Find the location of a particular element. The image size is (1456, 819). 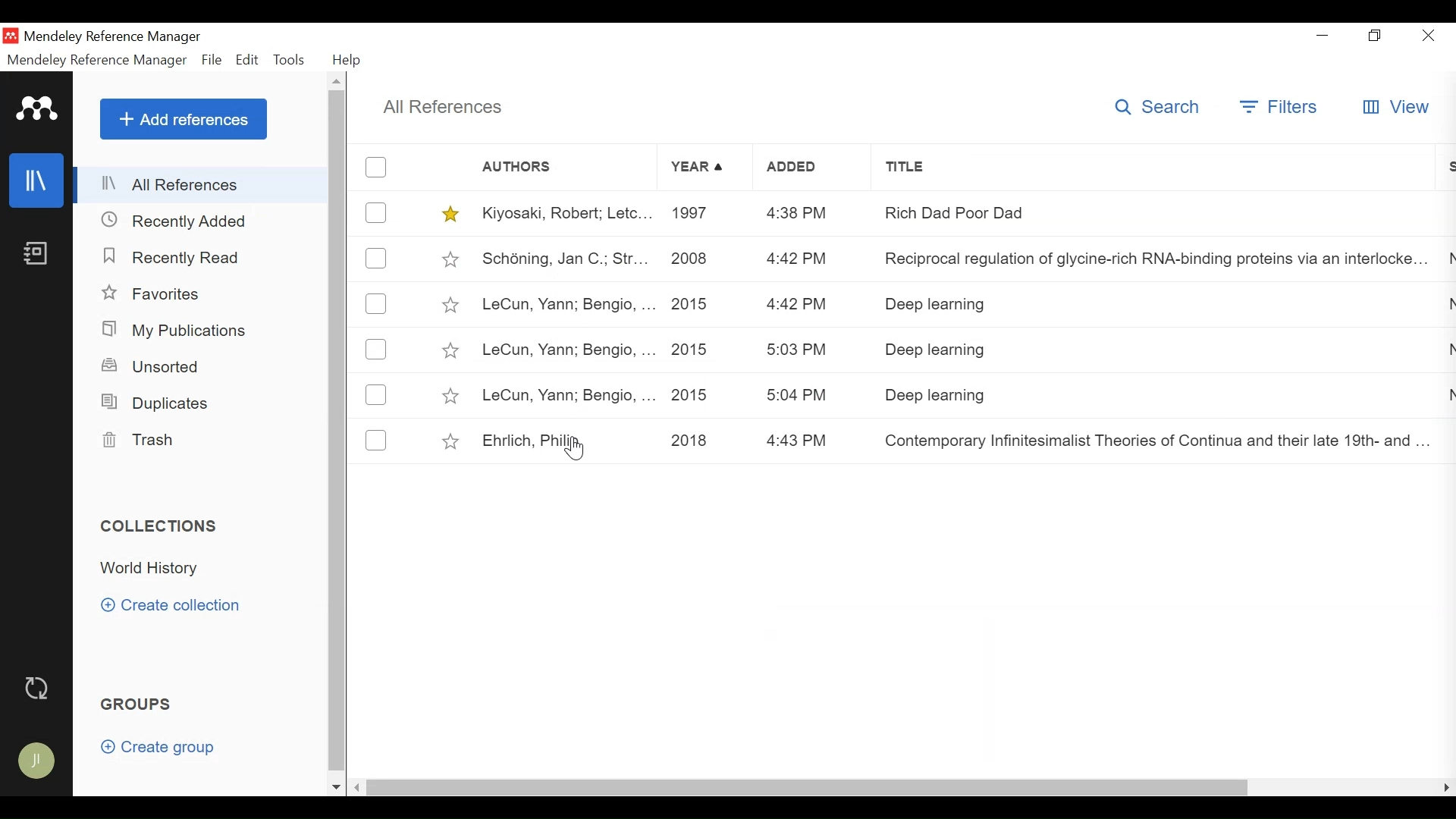

Kiyosaki, Robert; Letc... is located at coordinates (564, 214).